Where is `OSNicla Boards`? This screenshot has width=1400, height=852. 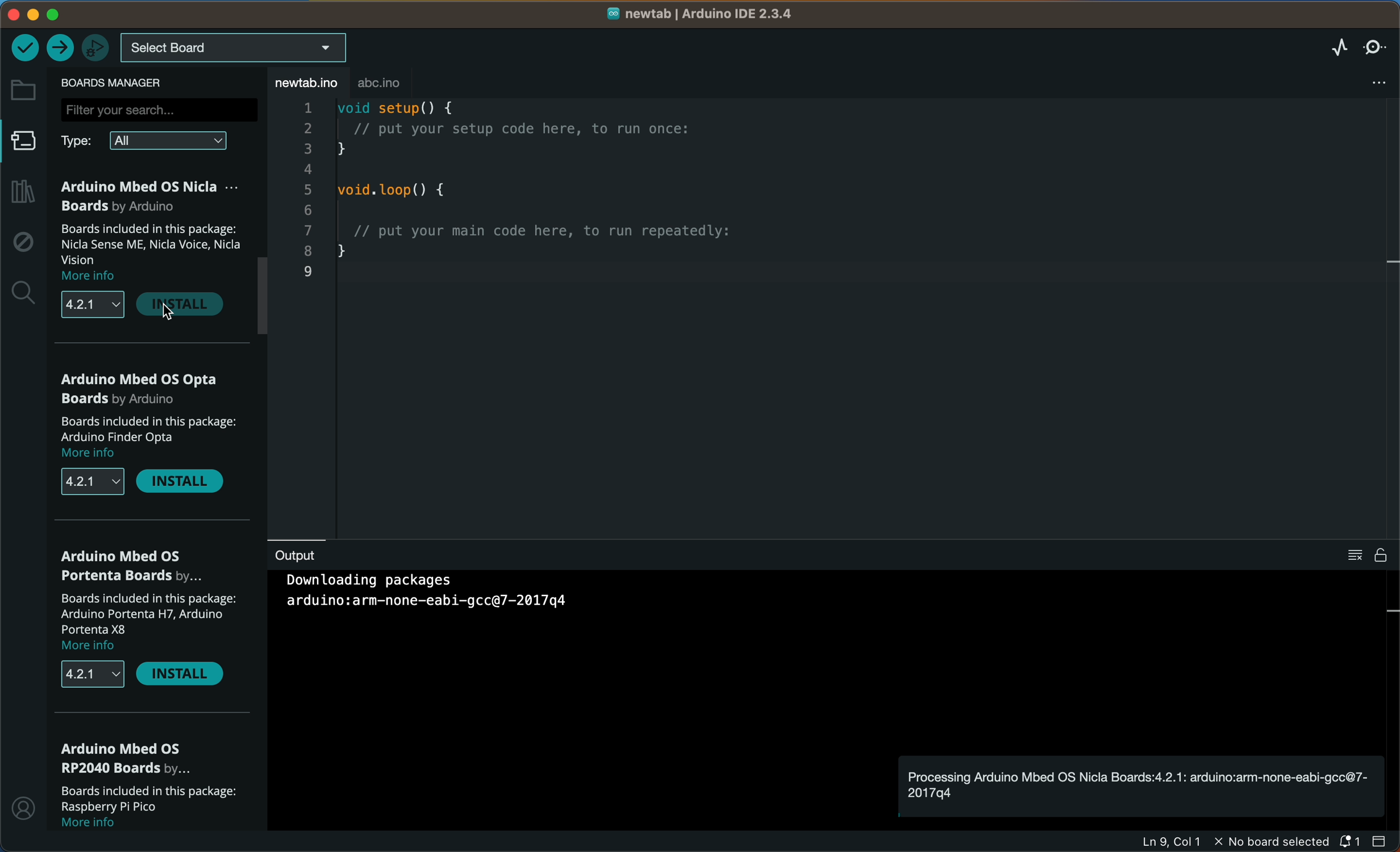 OSNicla Boards is located at coordinates (152, 196).